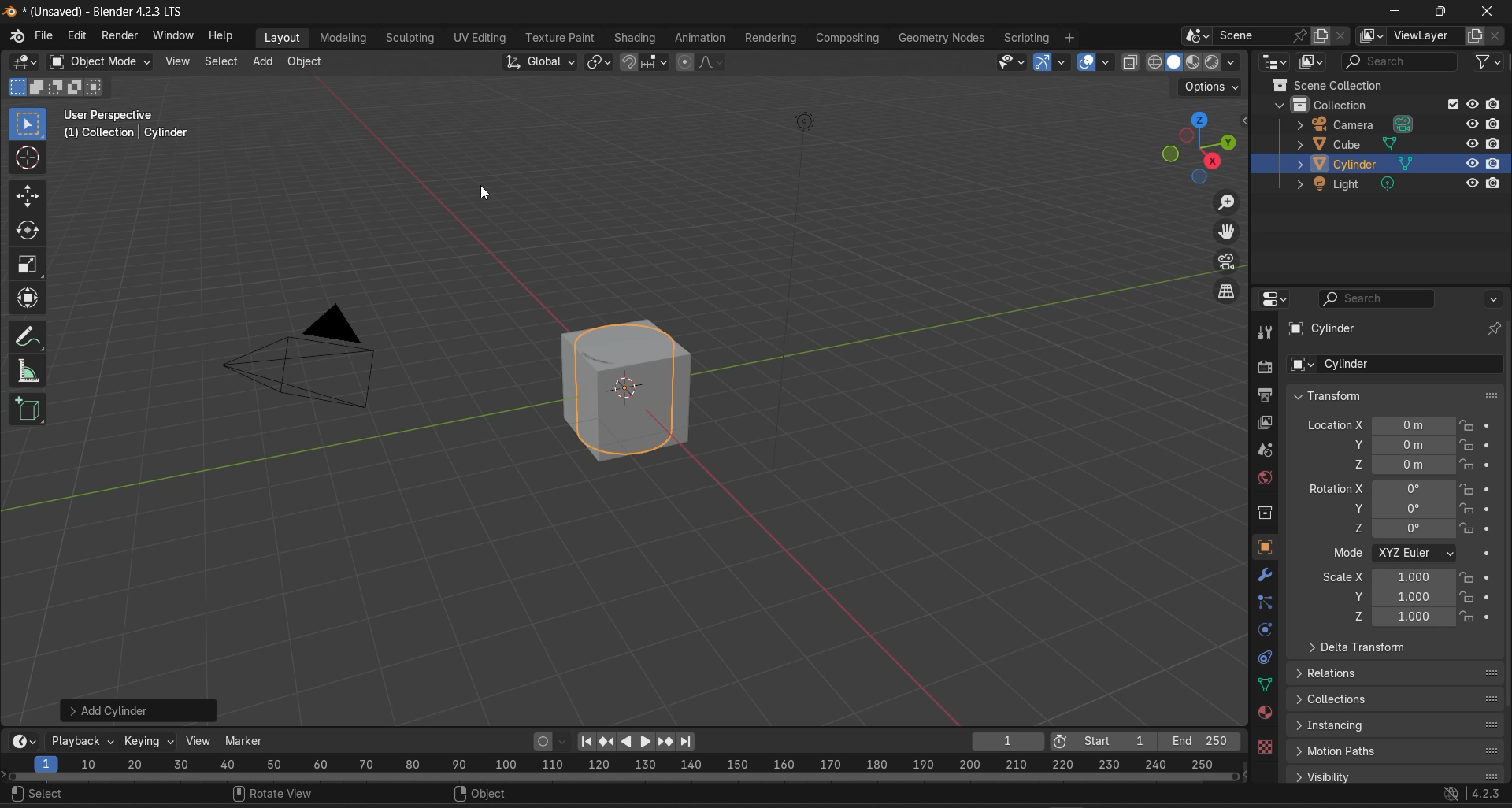 The width and height of the screenshot is (1512, 808). What do you see at coordinates (601, 63) in the screenshot?
I see `transform pivot point` at bounding box center [601, 63].